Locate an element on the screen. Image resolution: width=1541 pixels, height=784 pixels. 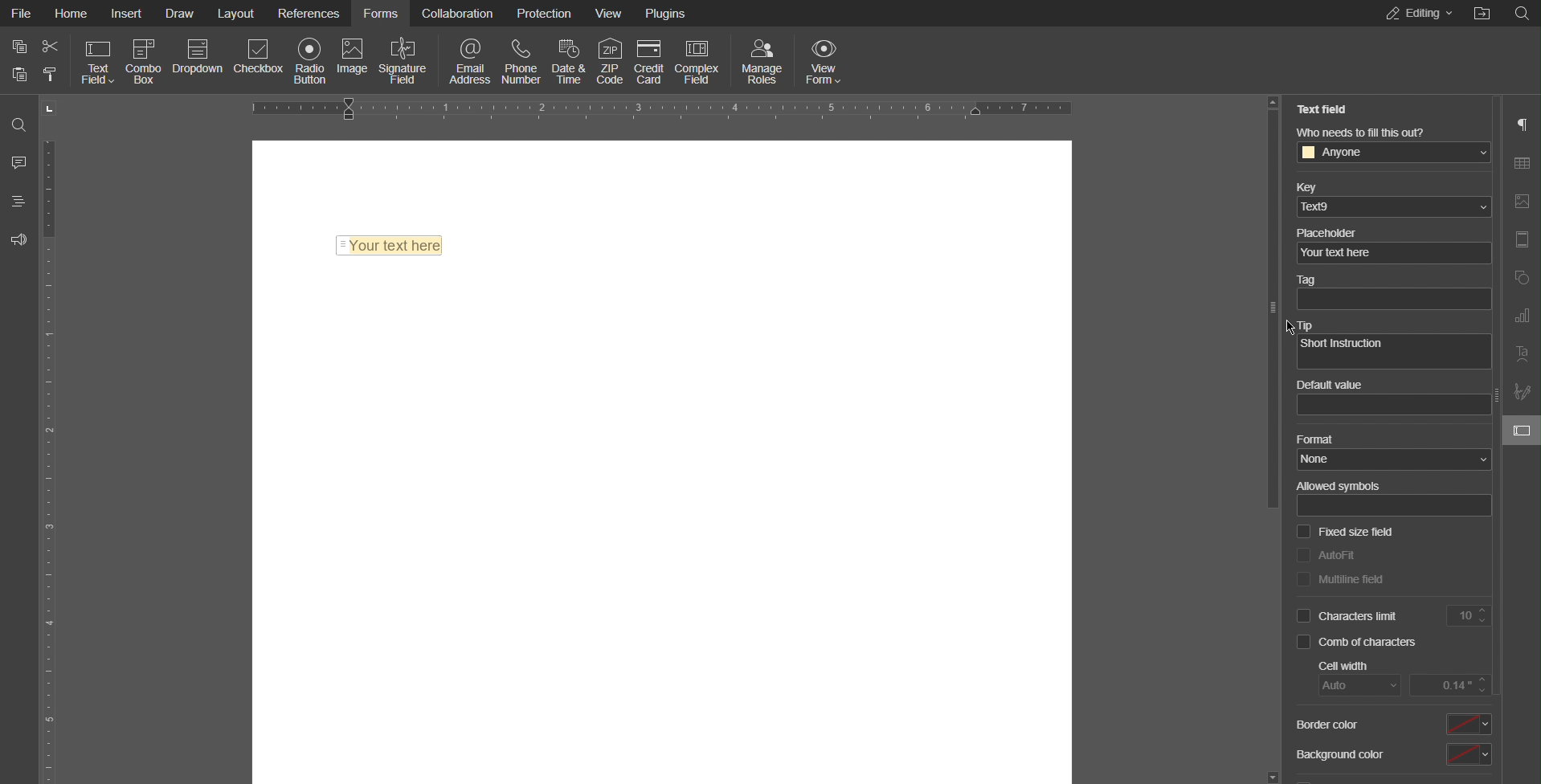
Comments is located at coordinates (19, 160).